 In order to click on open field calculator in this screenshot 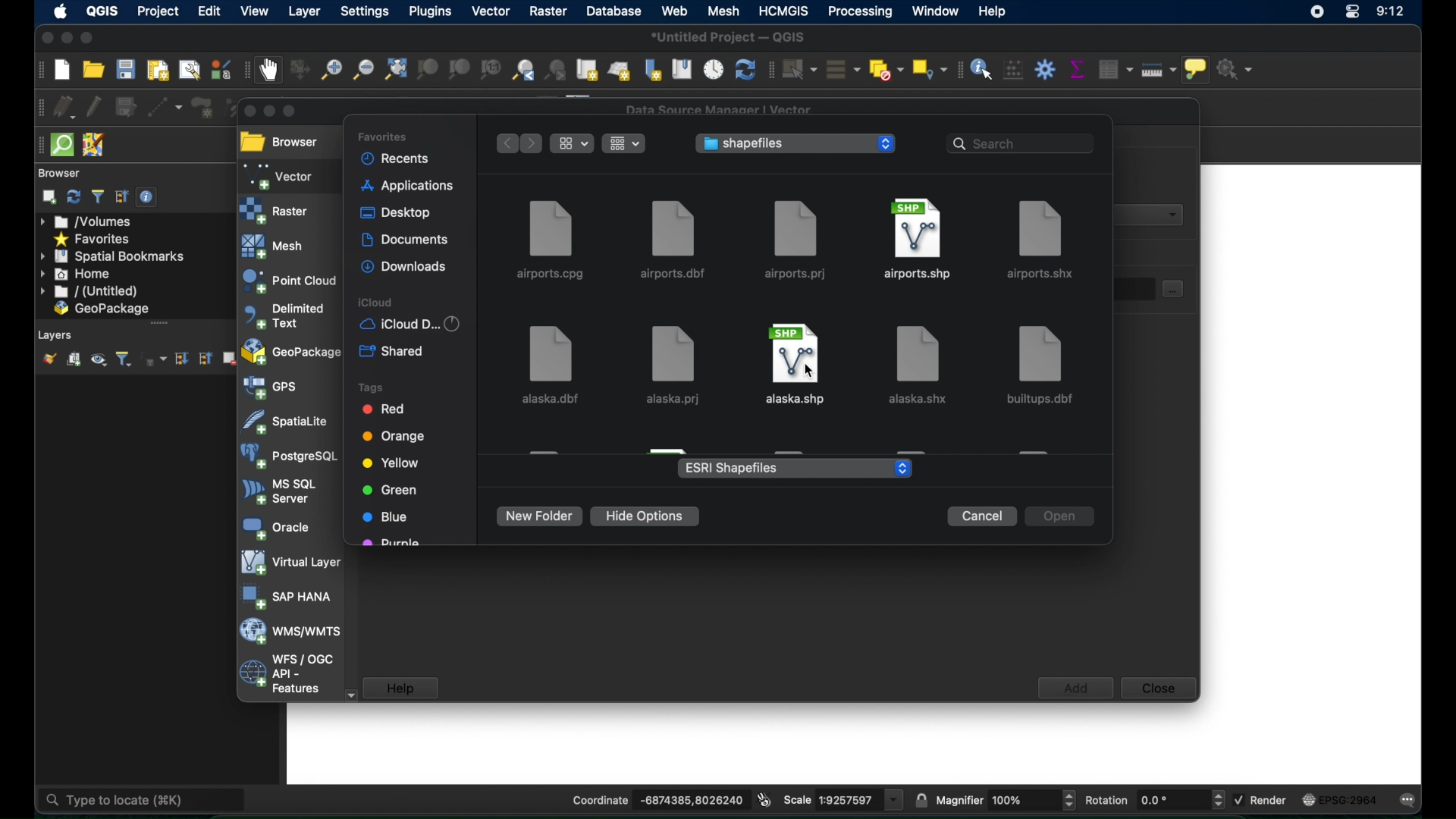, I will do `click(1013, 70)`.